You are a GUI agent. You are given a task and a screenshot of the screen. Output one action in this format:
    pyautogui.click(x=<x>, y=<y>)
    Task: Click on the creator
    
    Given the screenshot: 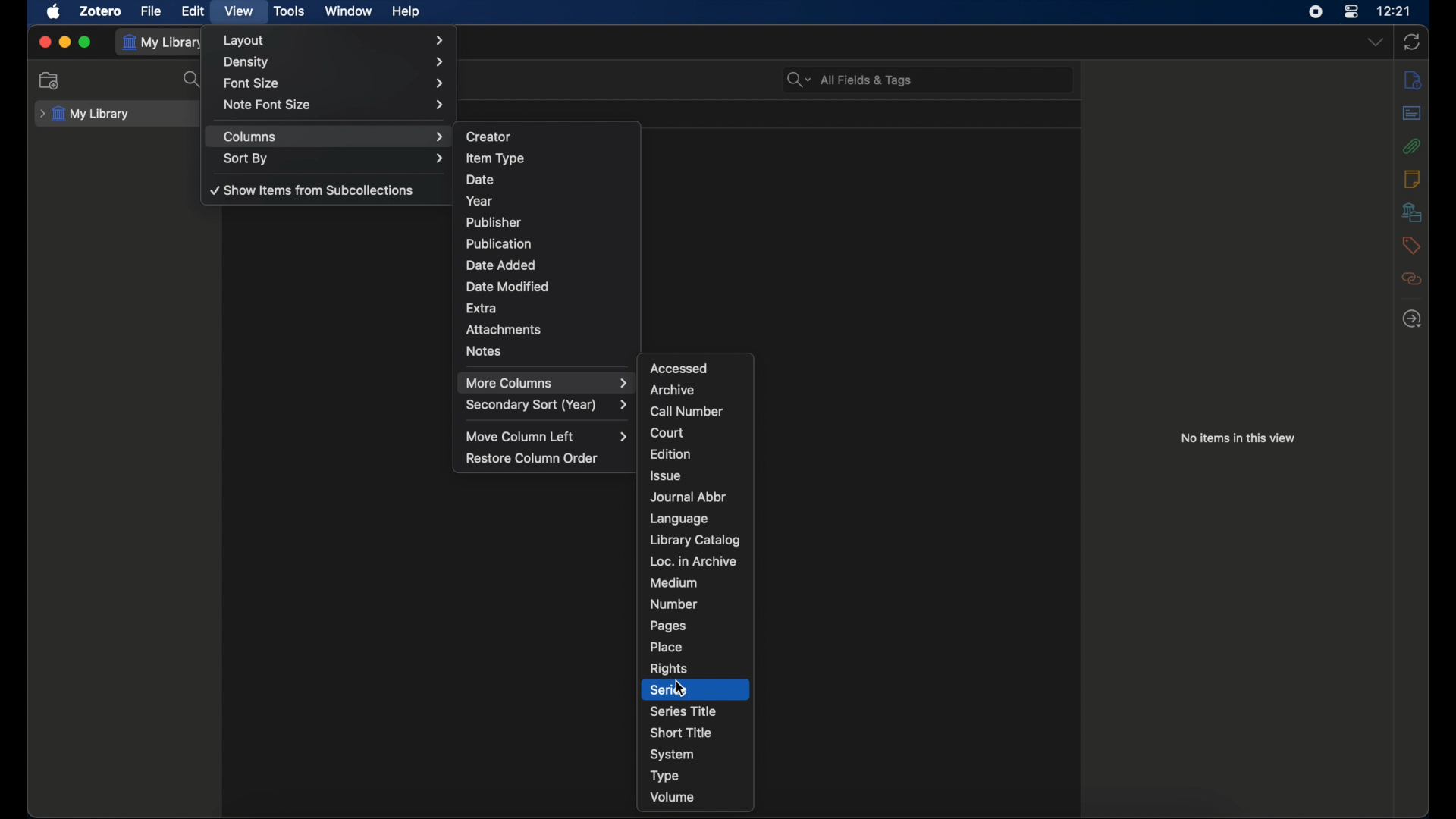 What is the action you would take?
    pyautogui.click(x=488, y=137)
    